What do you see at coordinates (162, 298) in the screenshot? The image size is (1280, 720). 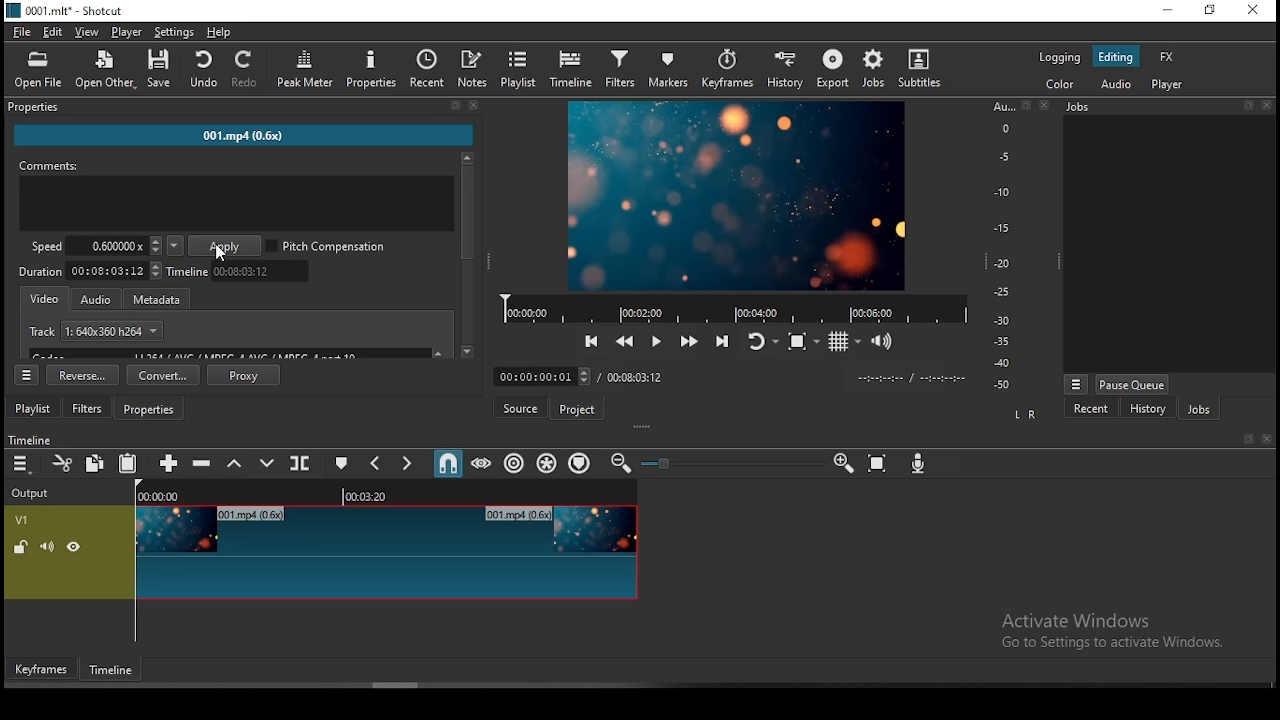 I see `metadata` at bounding box center [162, 298].